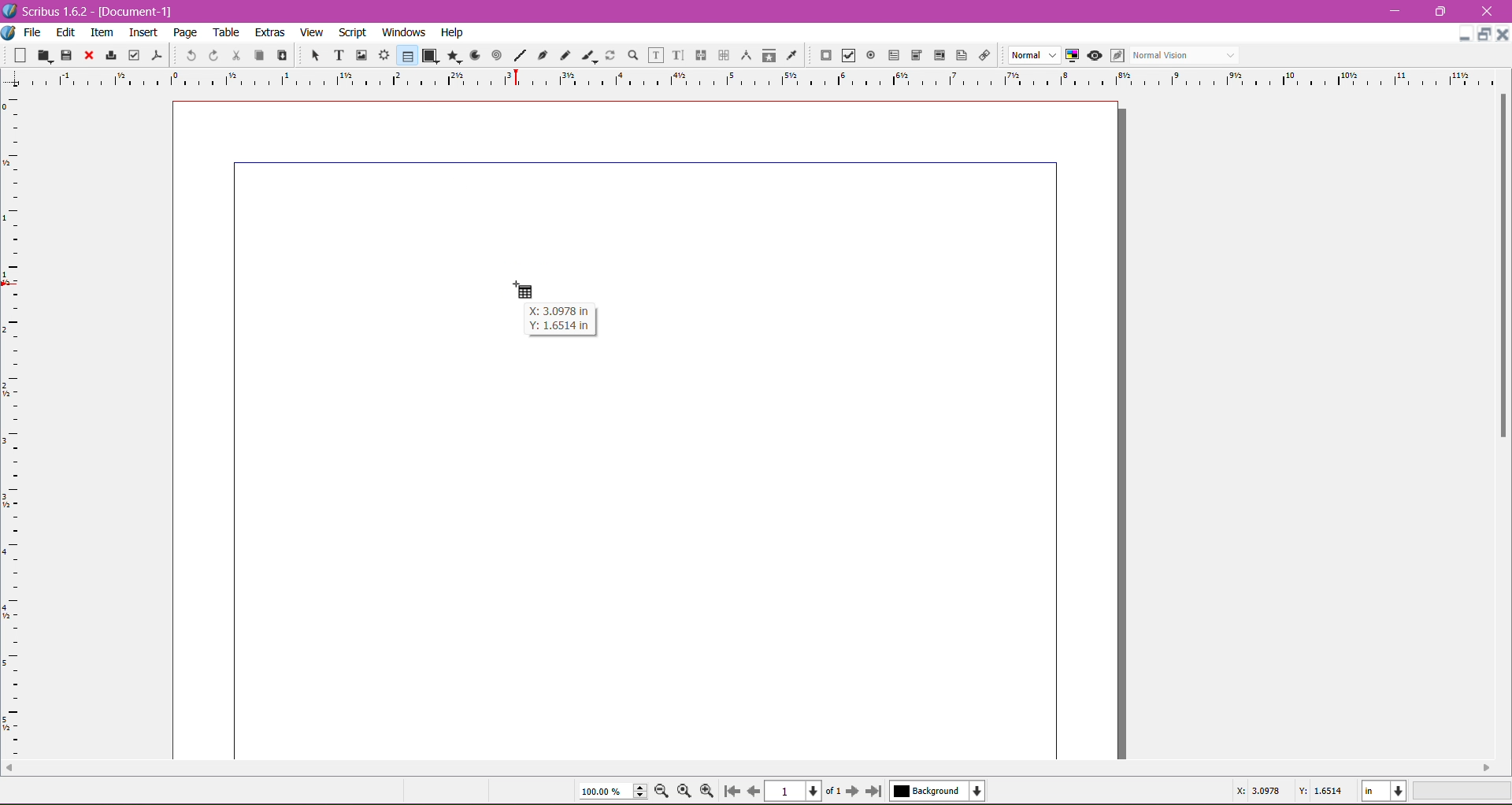  Describe the element at coordinates (795, 789) in the screenshot. I see `Current Page` at that location.